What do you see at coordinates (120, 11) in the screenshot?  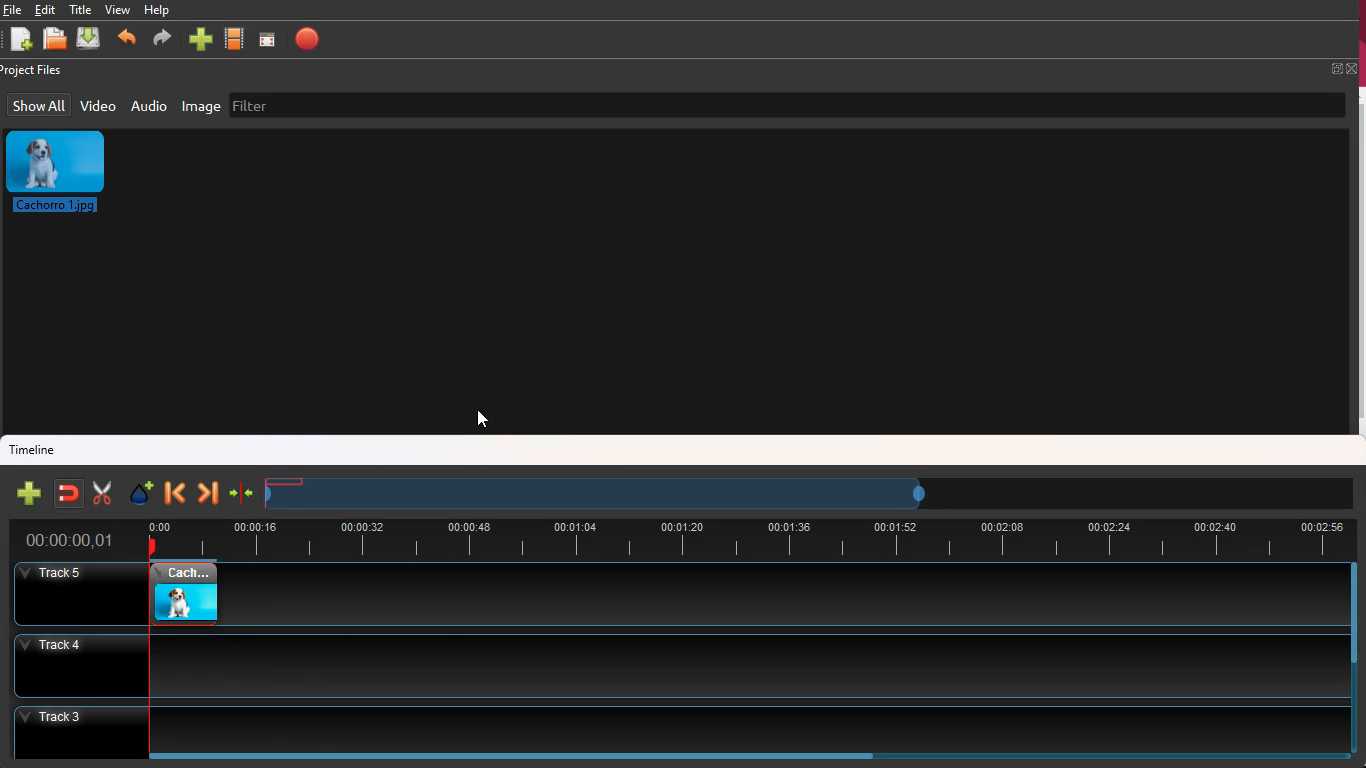 I see `view` at bounding box center [120, 11].